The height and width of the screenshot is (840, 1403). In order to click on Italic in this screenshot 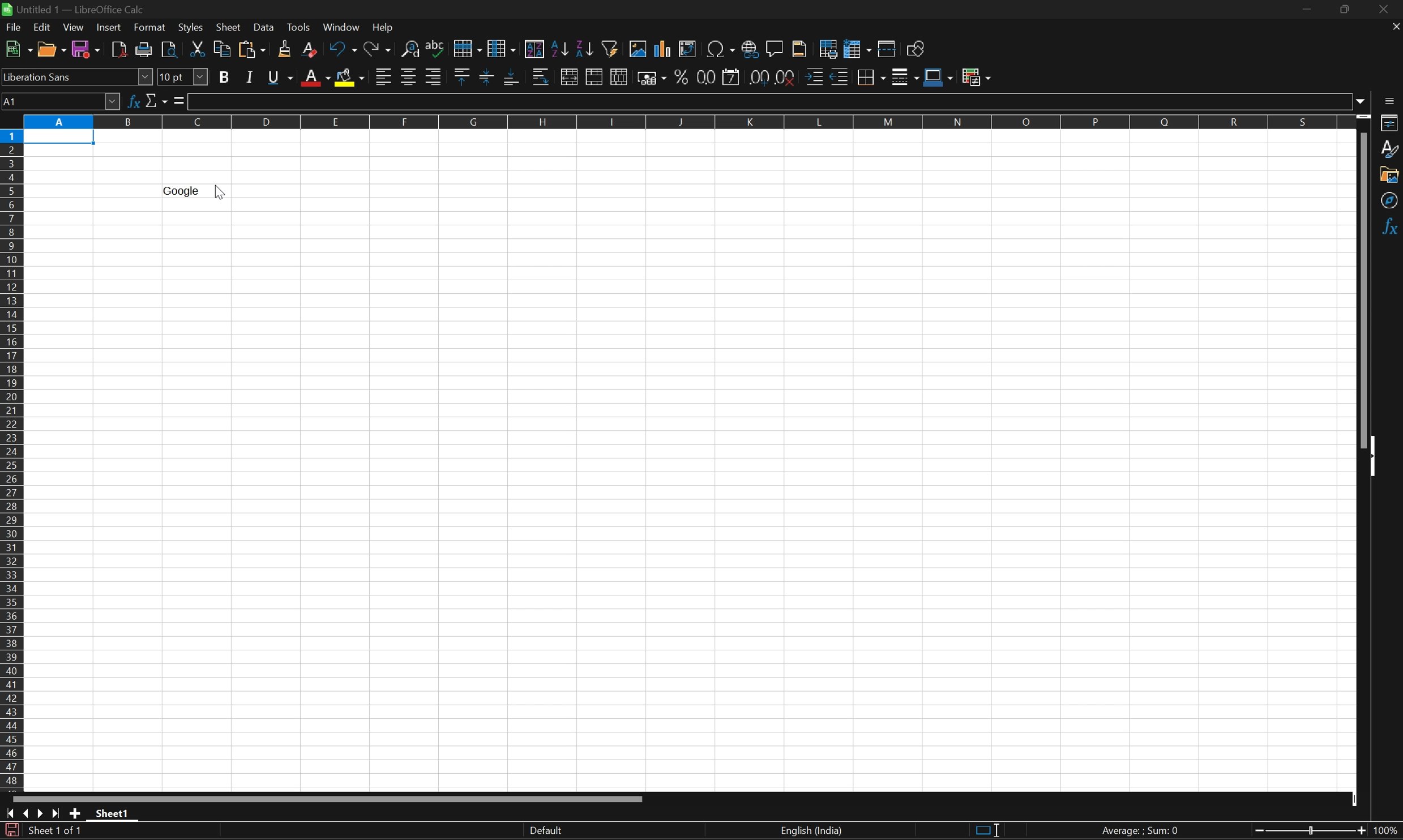, I will do `click(251, 78)`.